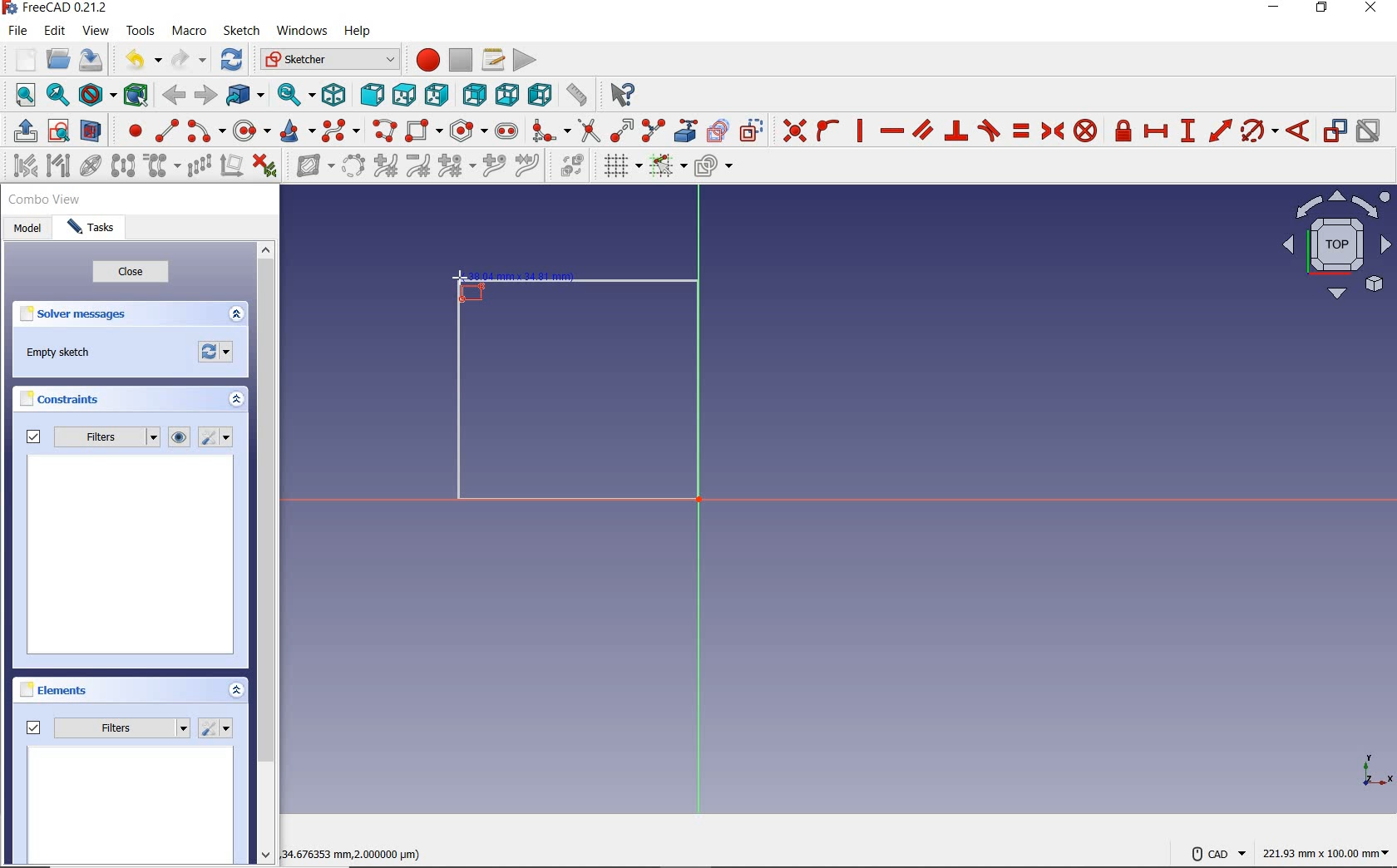 This screenshot has height=868, width=1397. I want to click on switch virtual space, so click(569, 169).